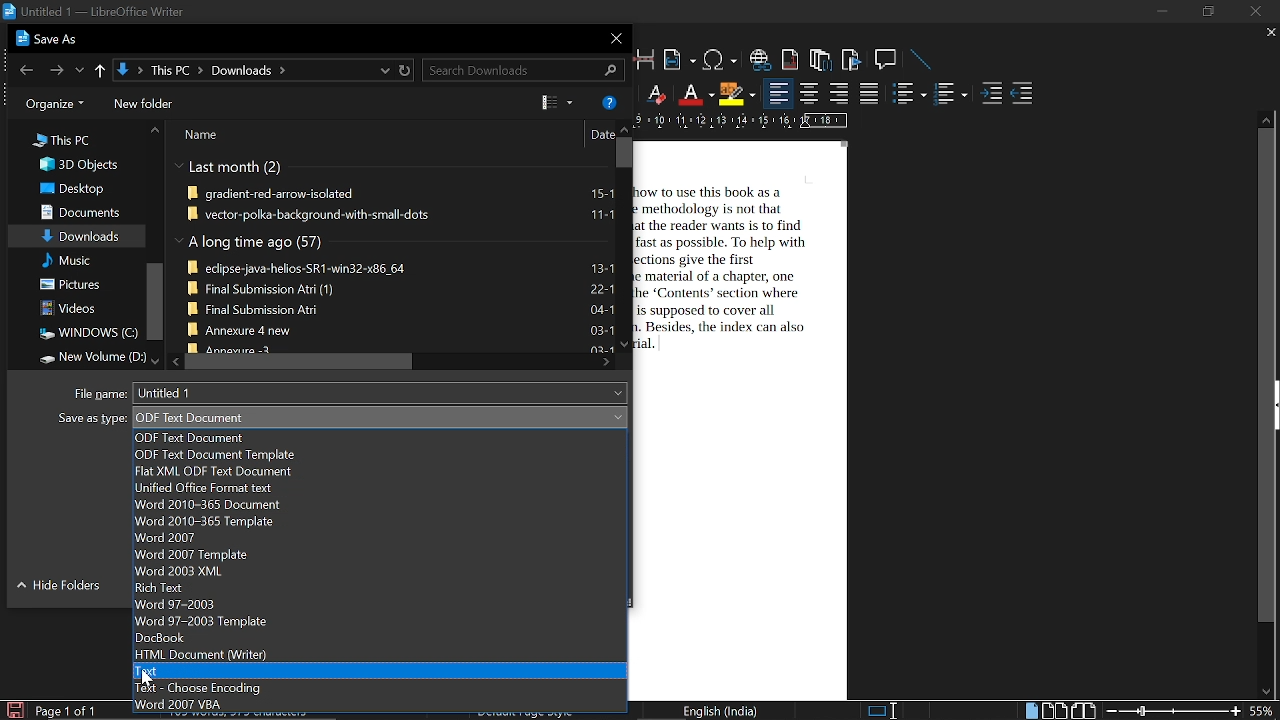 Image resolution: width=1280 pixels, height=720 pixels. What do you see at coordinates (991, 94) in the screenshot?
I see `increase indent` at bounding box center [991, 94].